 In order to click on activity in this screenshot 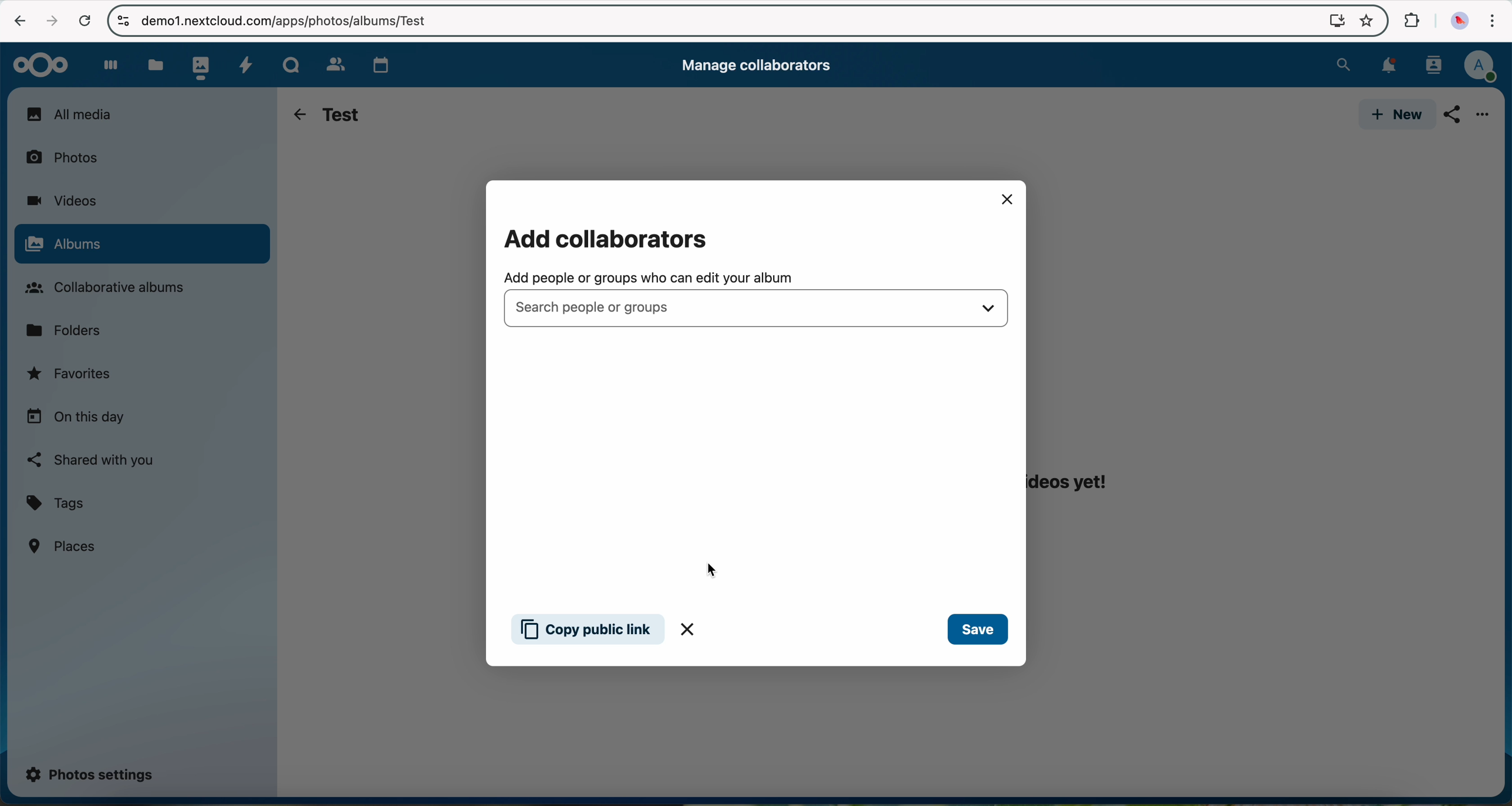, I will do `click(245, 63)`.